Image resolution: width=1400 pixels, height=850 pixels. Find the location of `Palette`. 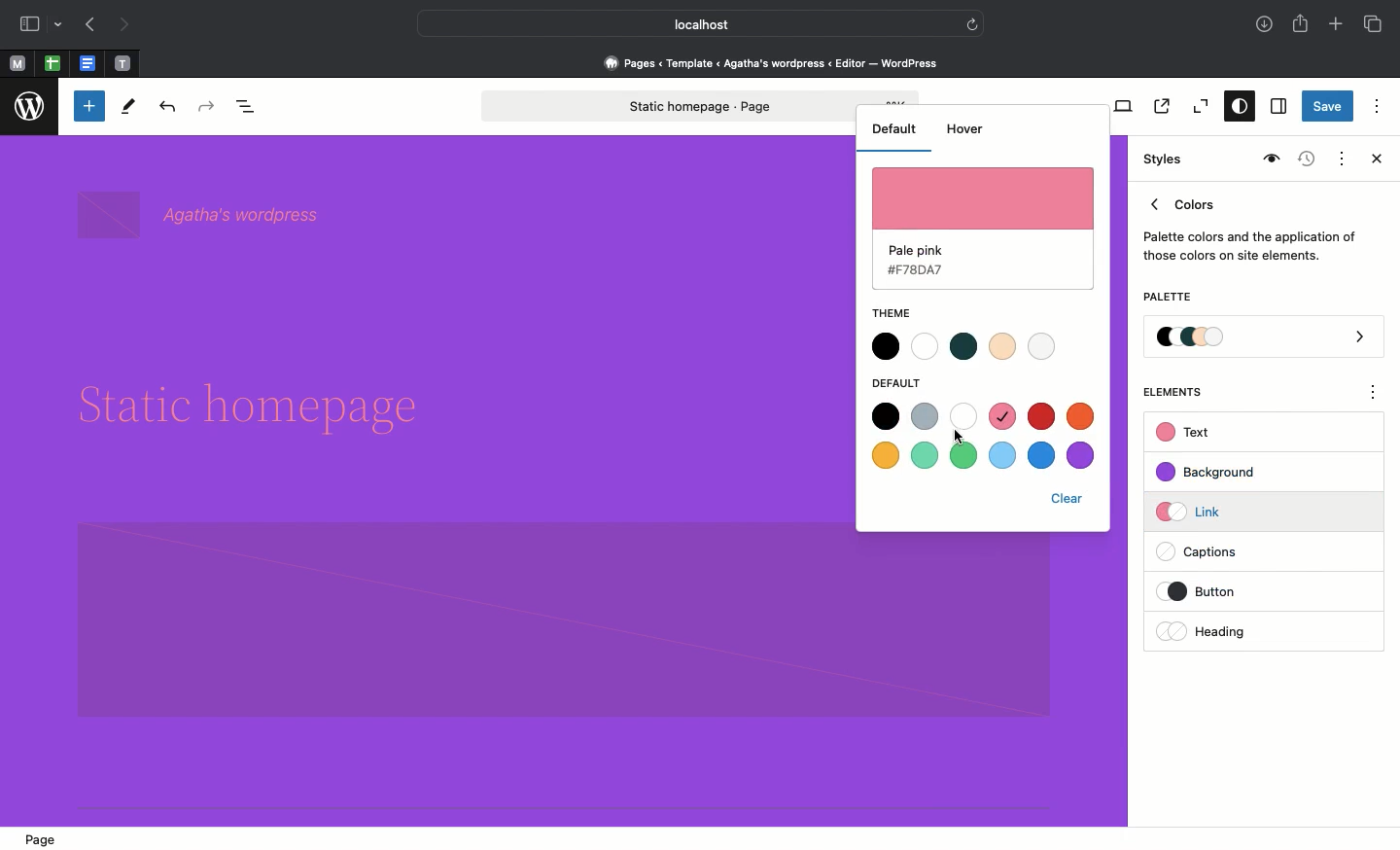

Palette is located at coordinates (1265, 338).